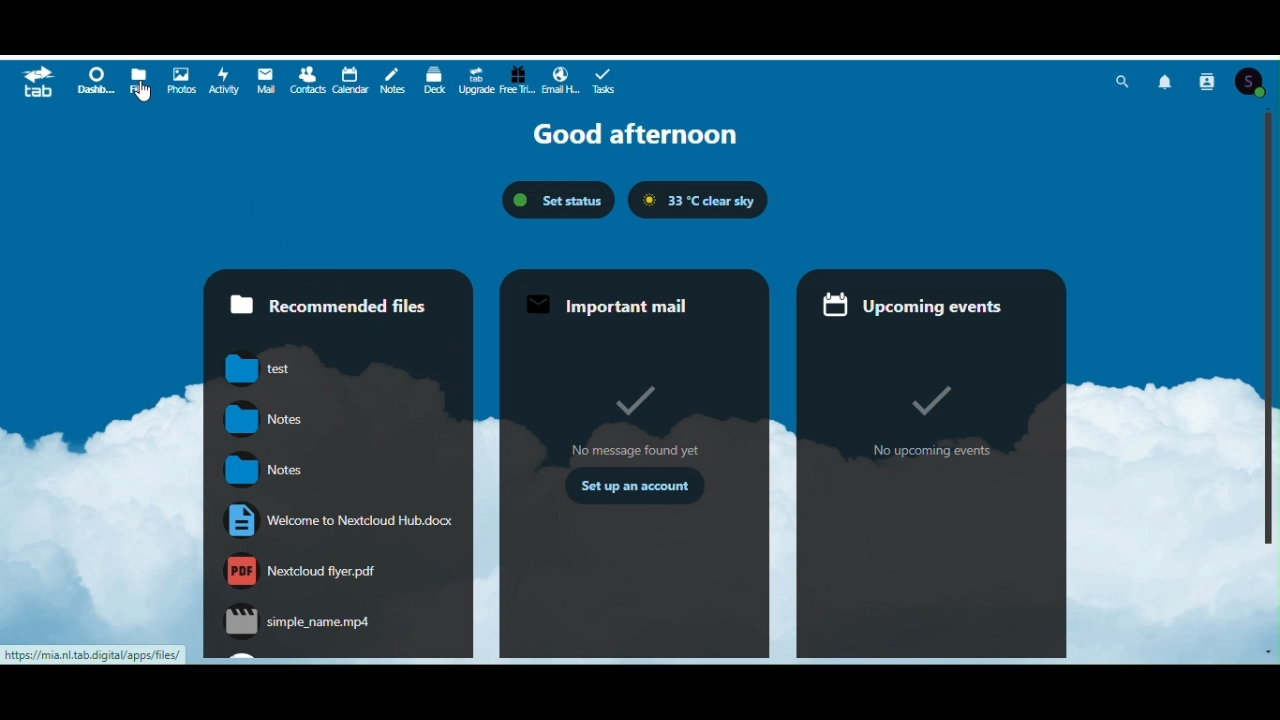  What do you see at coordinates (920, 307) in the screenshot?
I see `upcoming events` at bounding box center [920, 307].